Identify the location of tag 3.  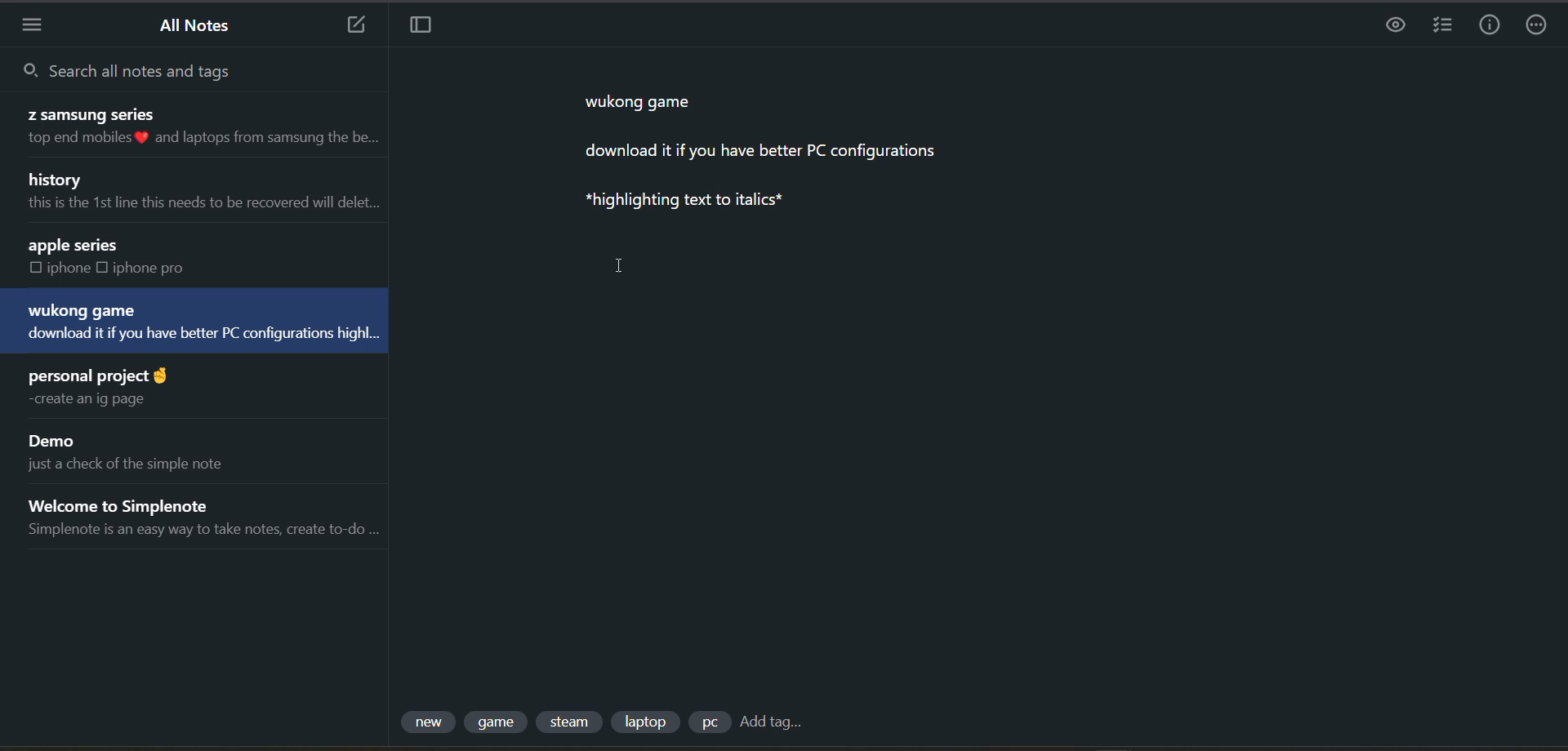
(572, 722).